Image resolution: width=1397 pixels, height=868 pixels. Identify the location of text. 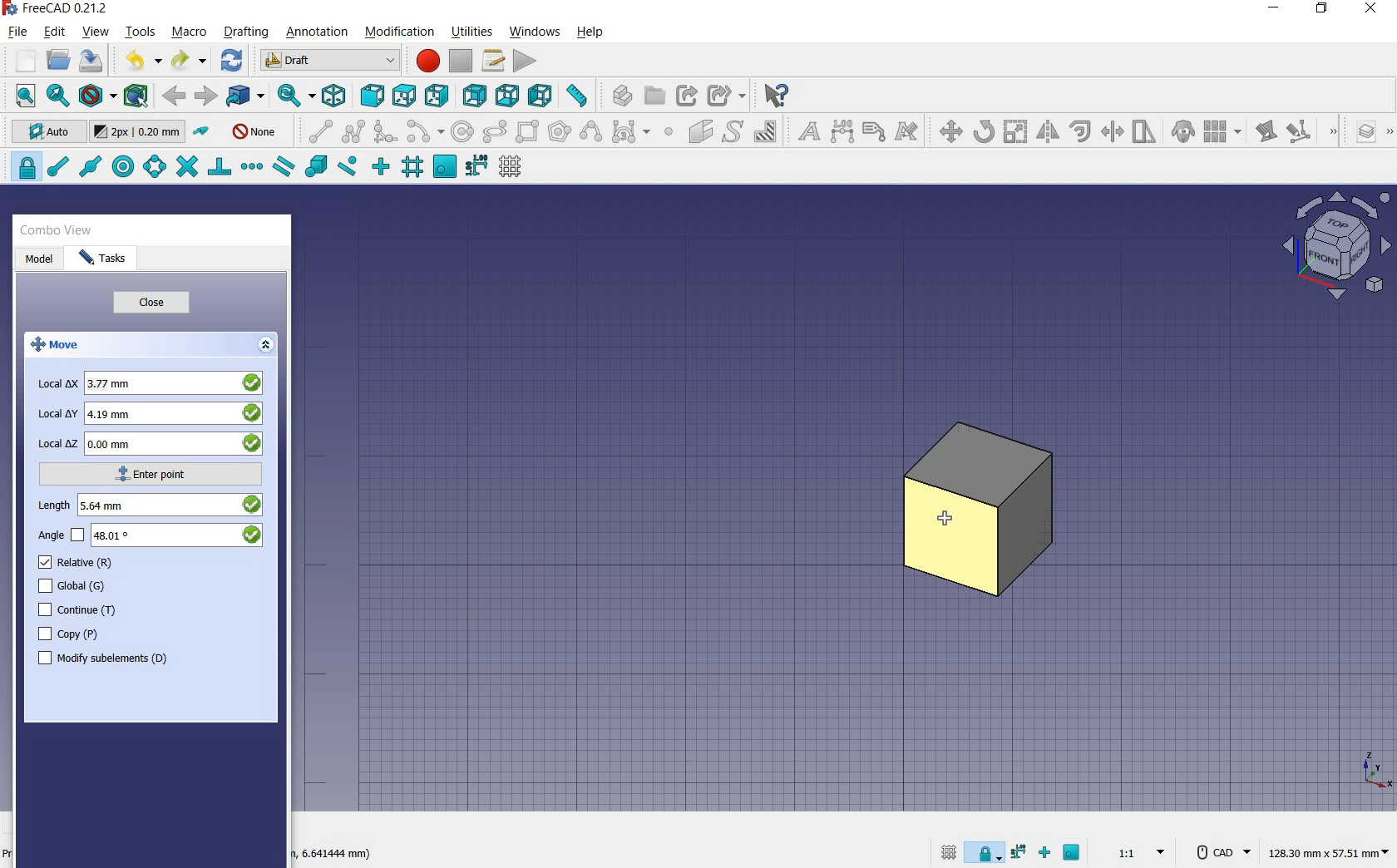
(806, 131).